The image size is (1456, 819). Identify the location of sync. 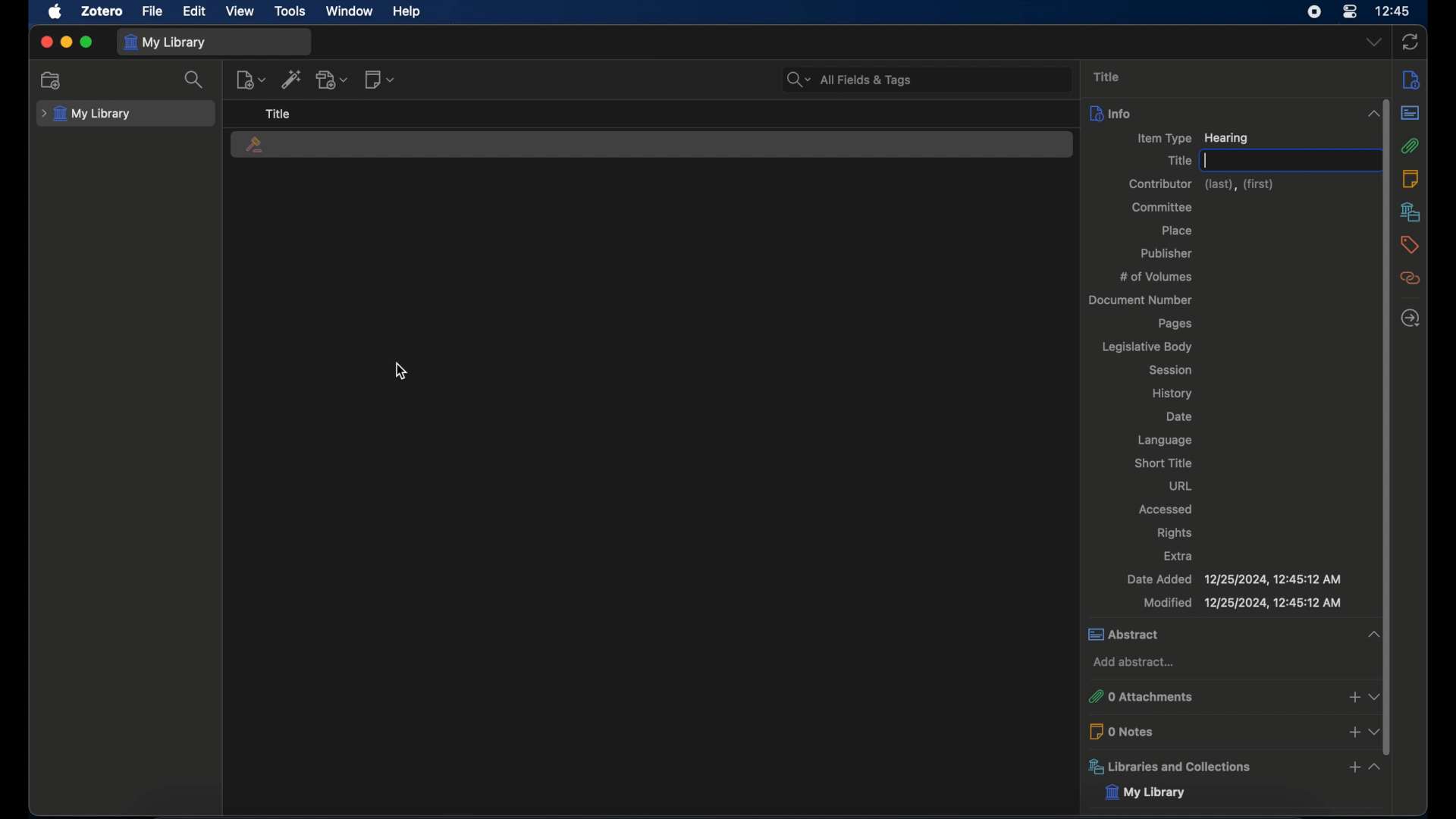
(1410, 42).